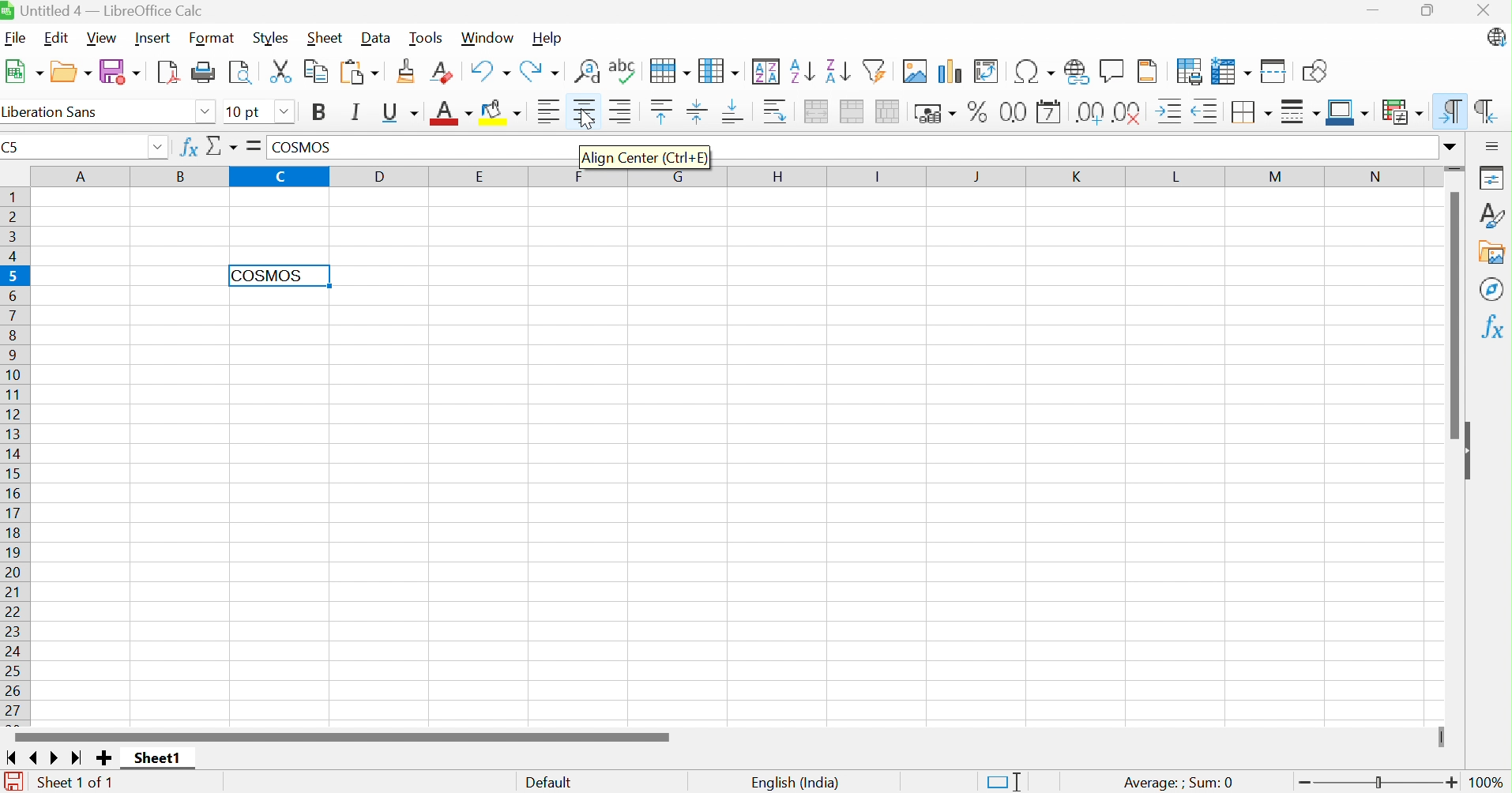 The width and height of the screenshot is (1512, 793). I want to click on Sort Ascending, so click(802, 72).